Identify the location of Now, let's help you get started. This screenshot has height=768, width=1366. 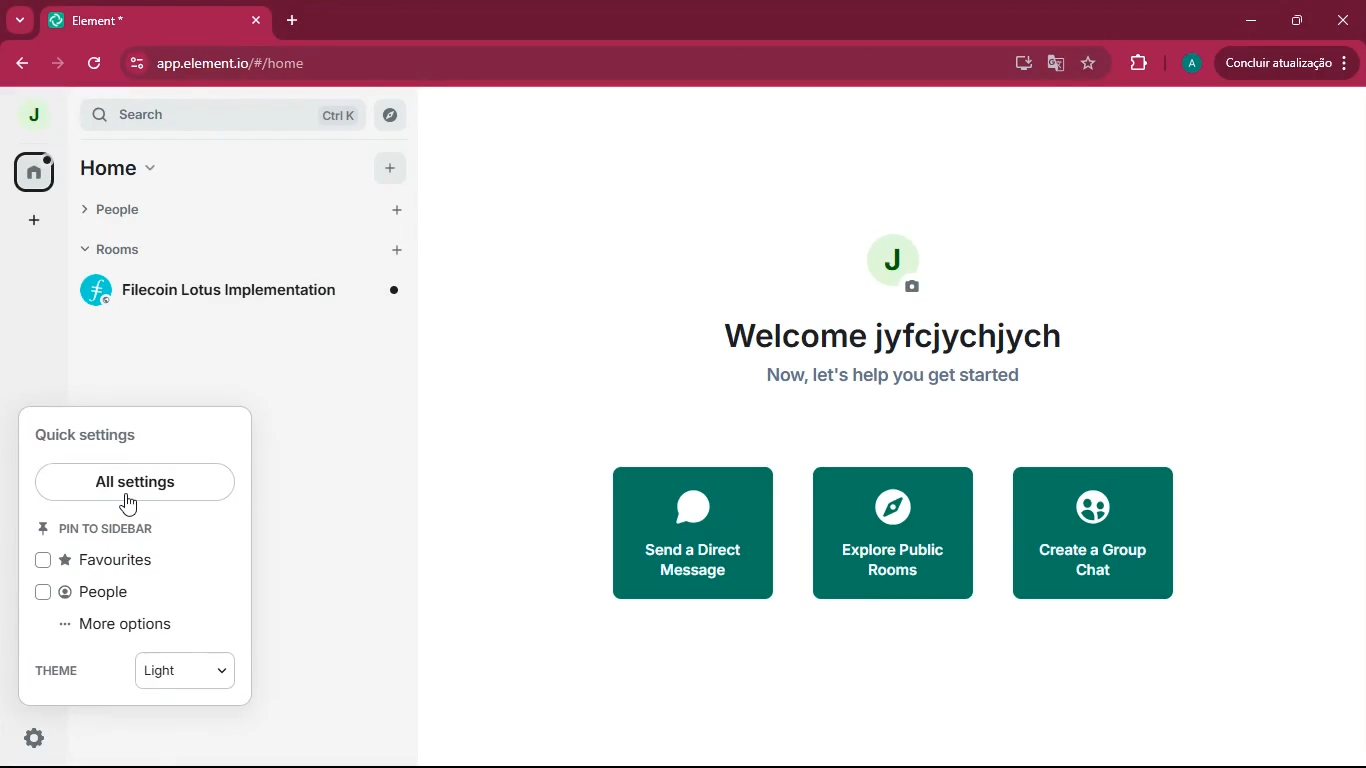
(893, 376).